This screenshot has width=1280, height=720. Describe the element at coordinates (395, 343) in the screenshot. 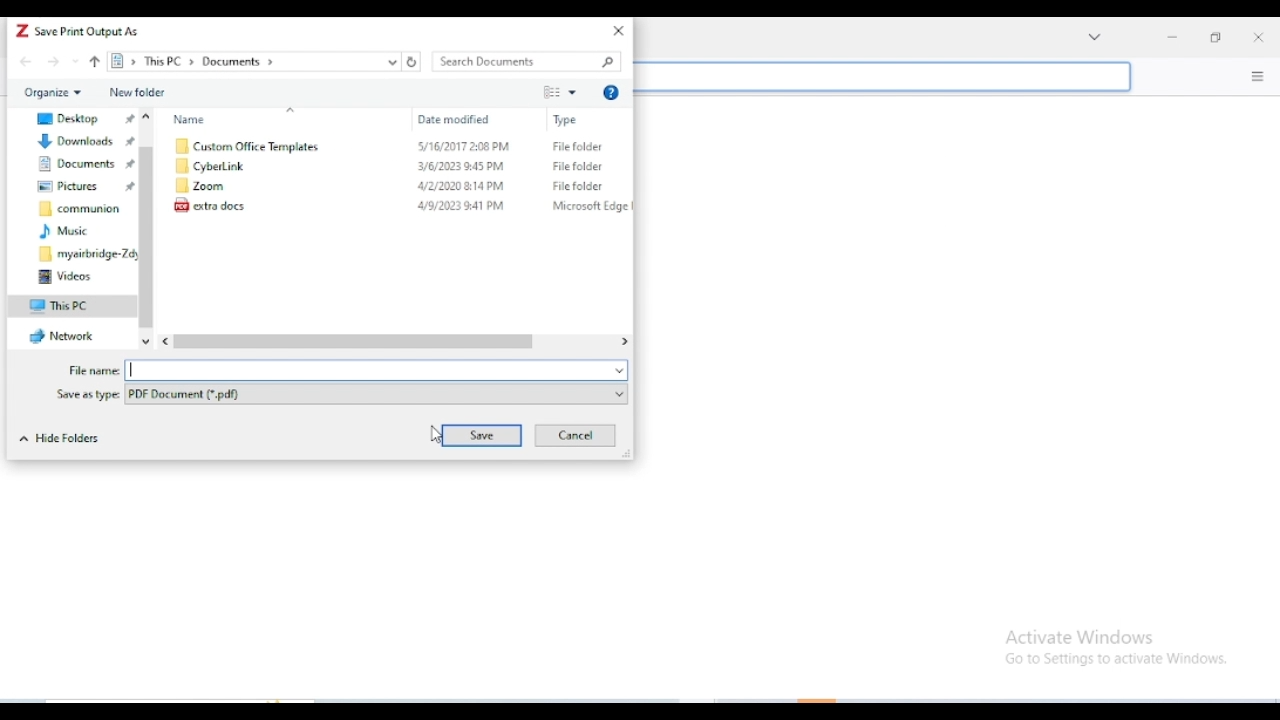

I see `horizontal scroll bar` at that location.